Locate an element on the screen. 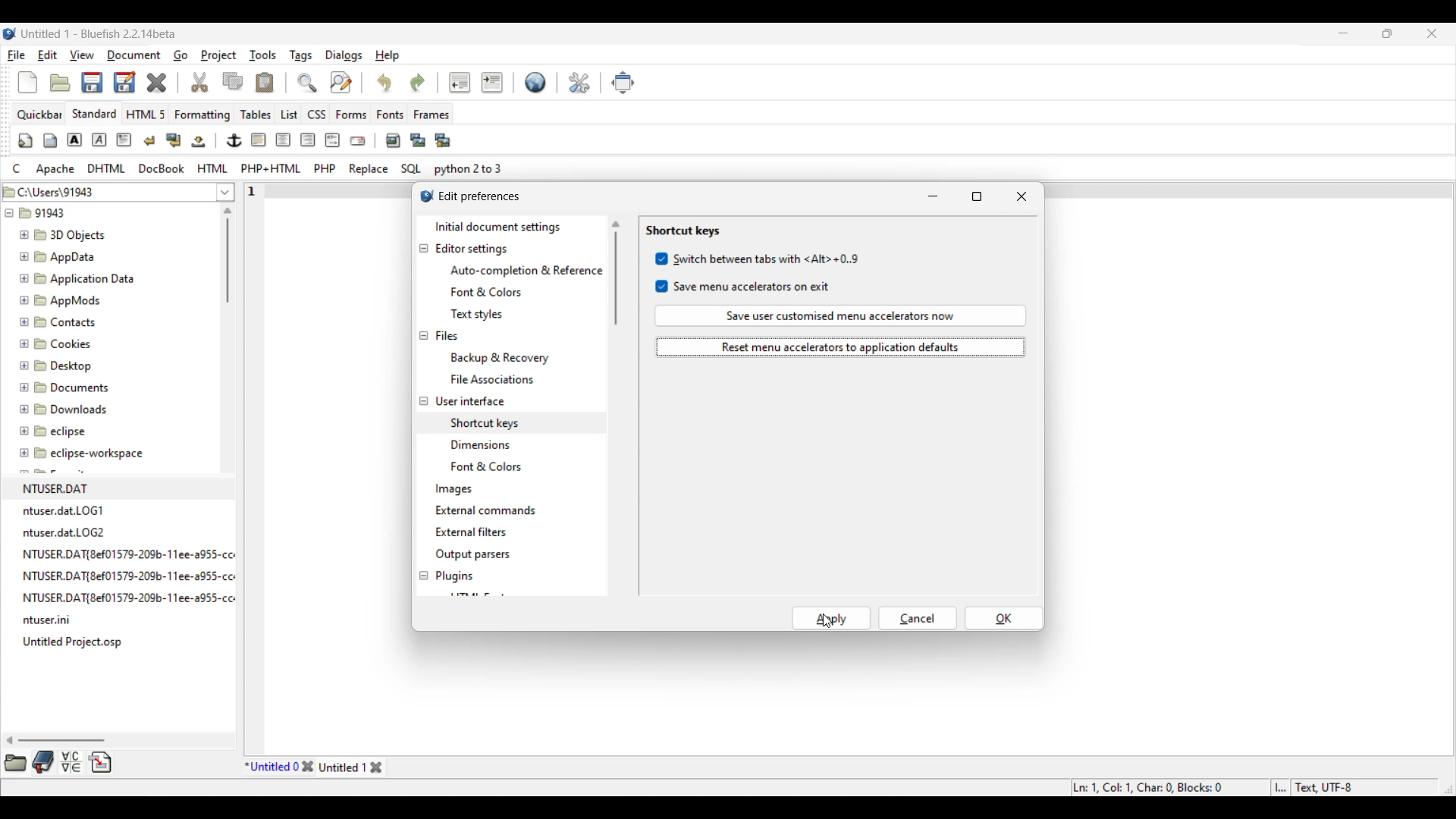 Image resolution: width=1456 pixels, height=819 pixels. Project menu is located at coordinates (218, 55).